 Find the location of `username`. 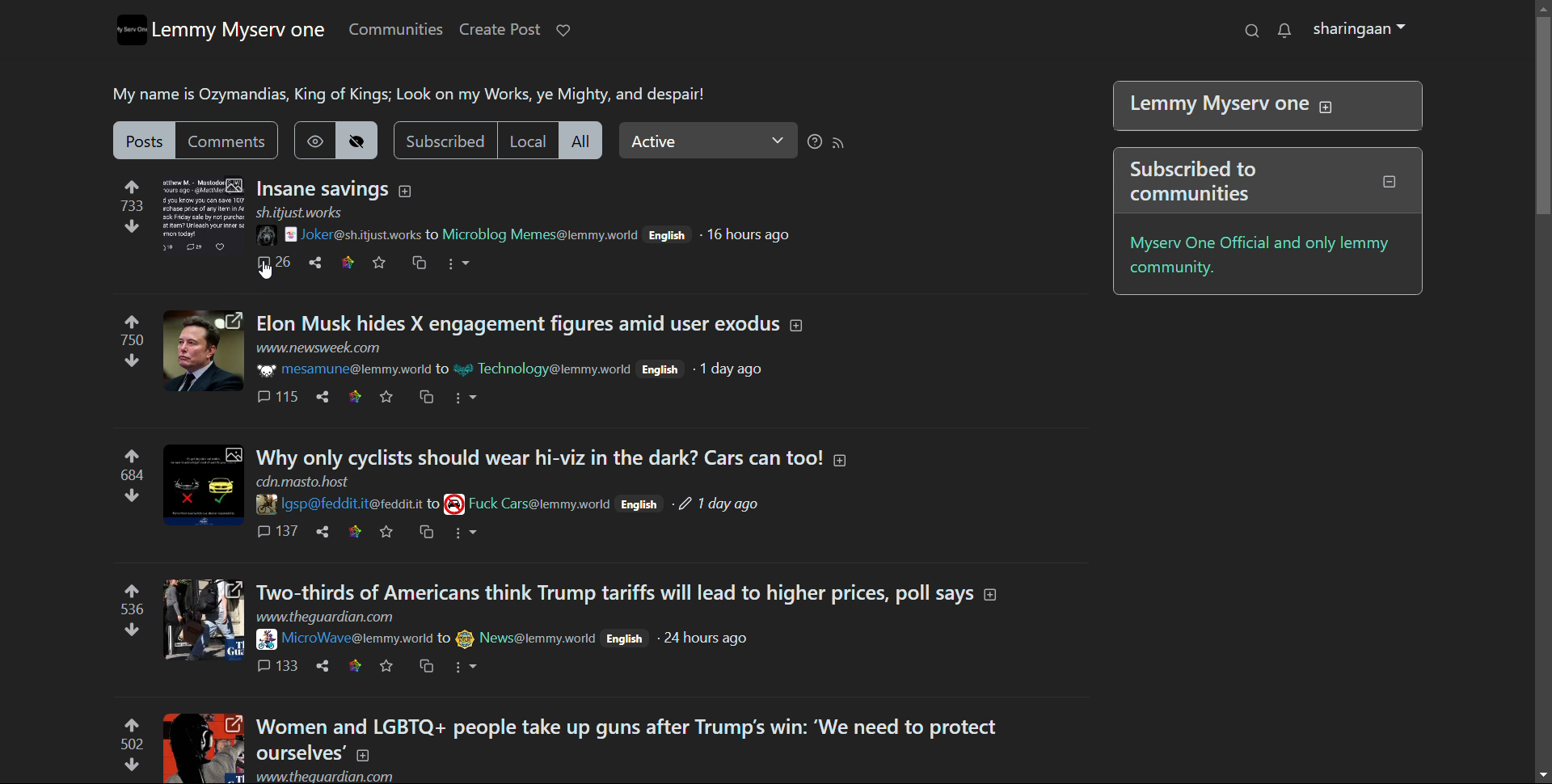

username is located at coordinates (352, 504).